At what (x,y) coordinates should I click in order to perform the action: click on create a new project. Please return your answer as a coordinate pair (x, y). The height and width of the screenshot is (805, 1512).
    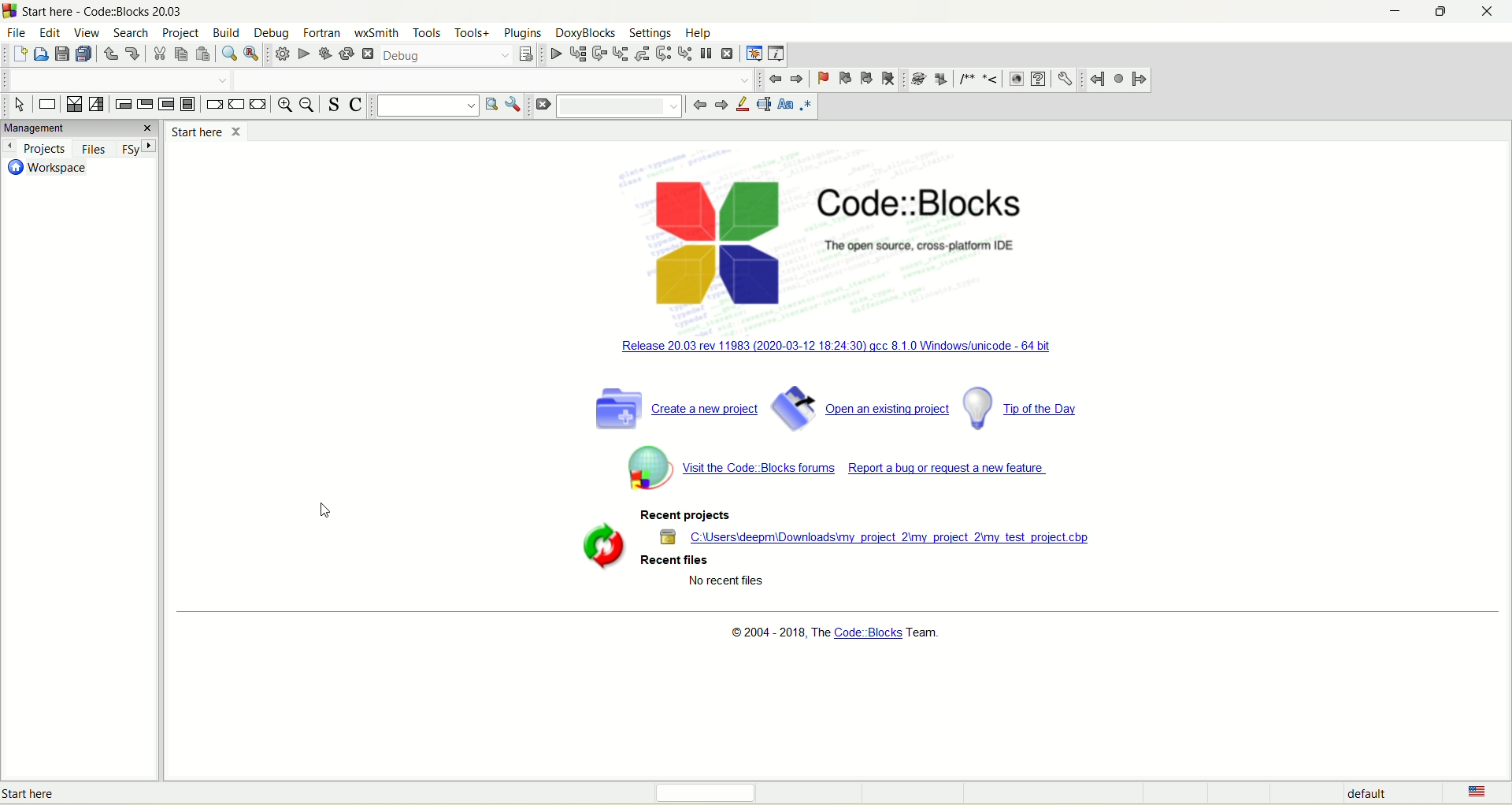
    Looking at the image, I should click on (673, 408).